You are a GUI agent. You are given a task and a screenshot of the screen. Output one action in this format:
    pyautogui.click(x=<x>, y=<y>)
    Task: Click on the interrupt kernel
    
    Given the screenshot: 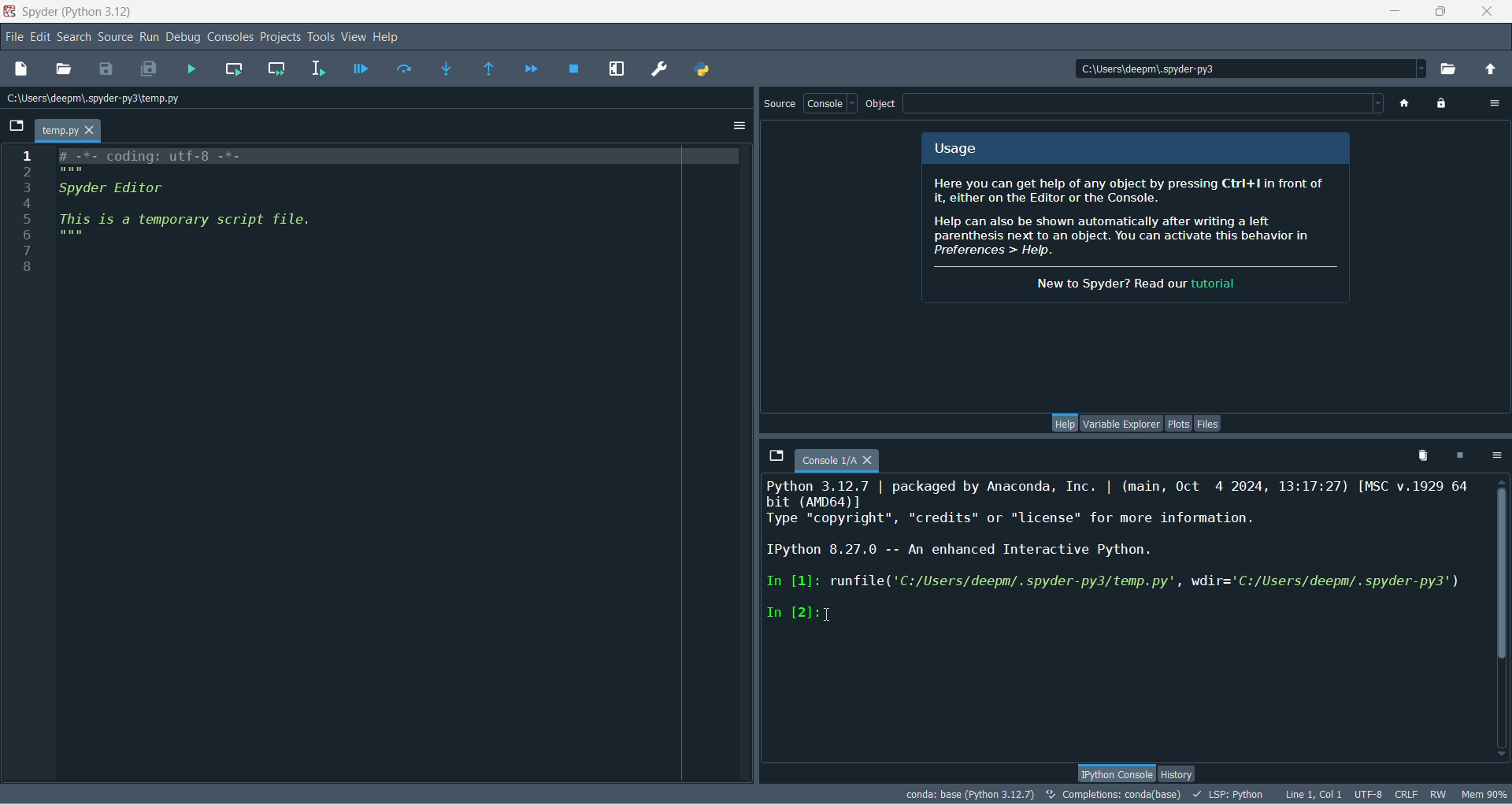 What is the action you would take?
    pyautogui.click(x=1464, y=455)
    